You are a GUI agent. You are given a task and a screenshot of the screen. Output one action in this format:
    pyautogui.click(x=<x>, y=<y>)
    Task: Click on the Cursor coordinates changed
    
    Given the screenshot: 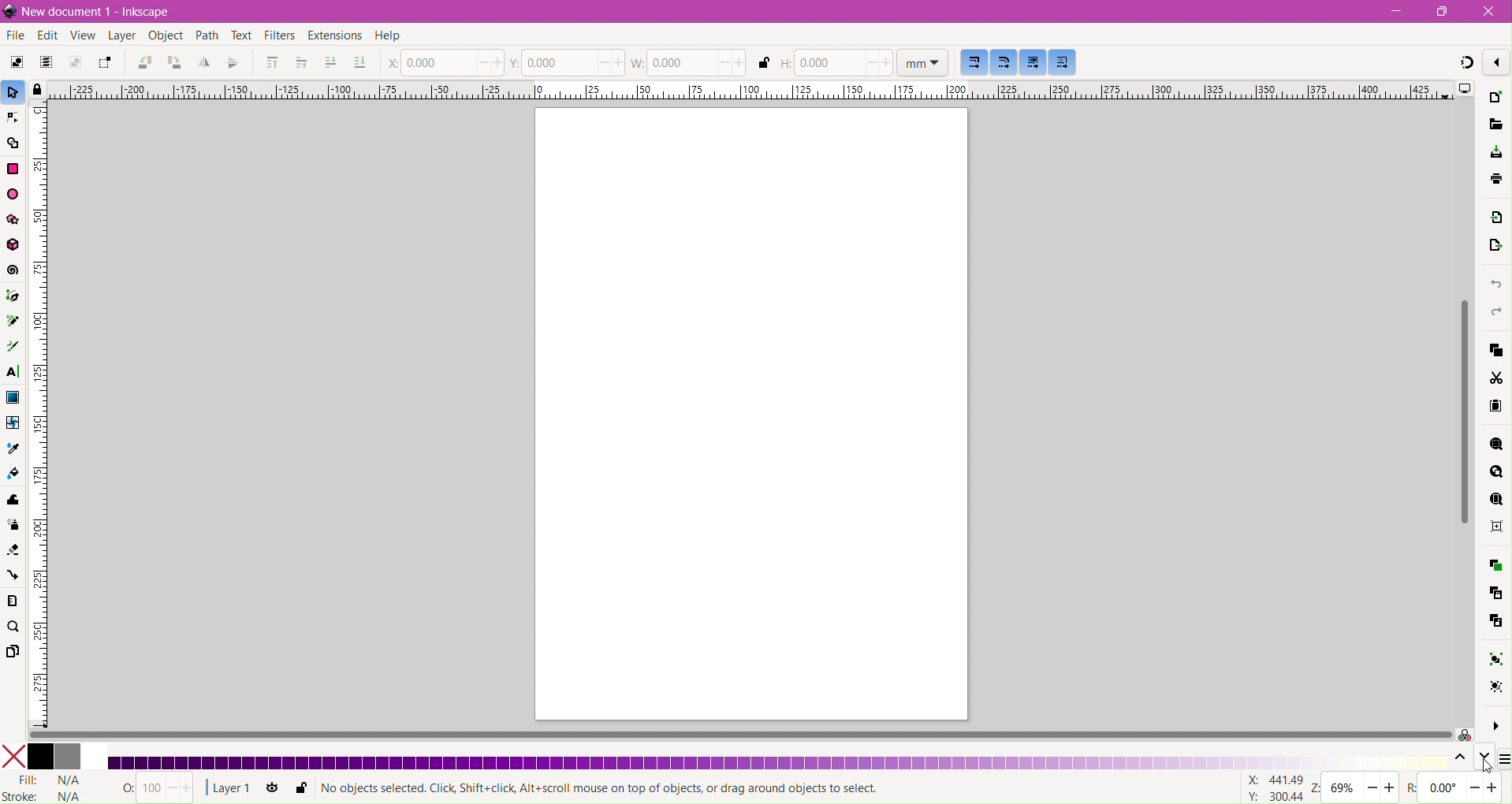 What is the action you would take?
    pyautogui.click(x=1271, y=788)
    